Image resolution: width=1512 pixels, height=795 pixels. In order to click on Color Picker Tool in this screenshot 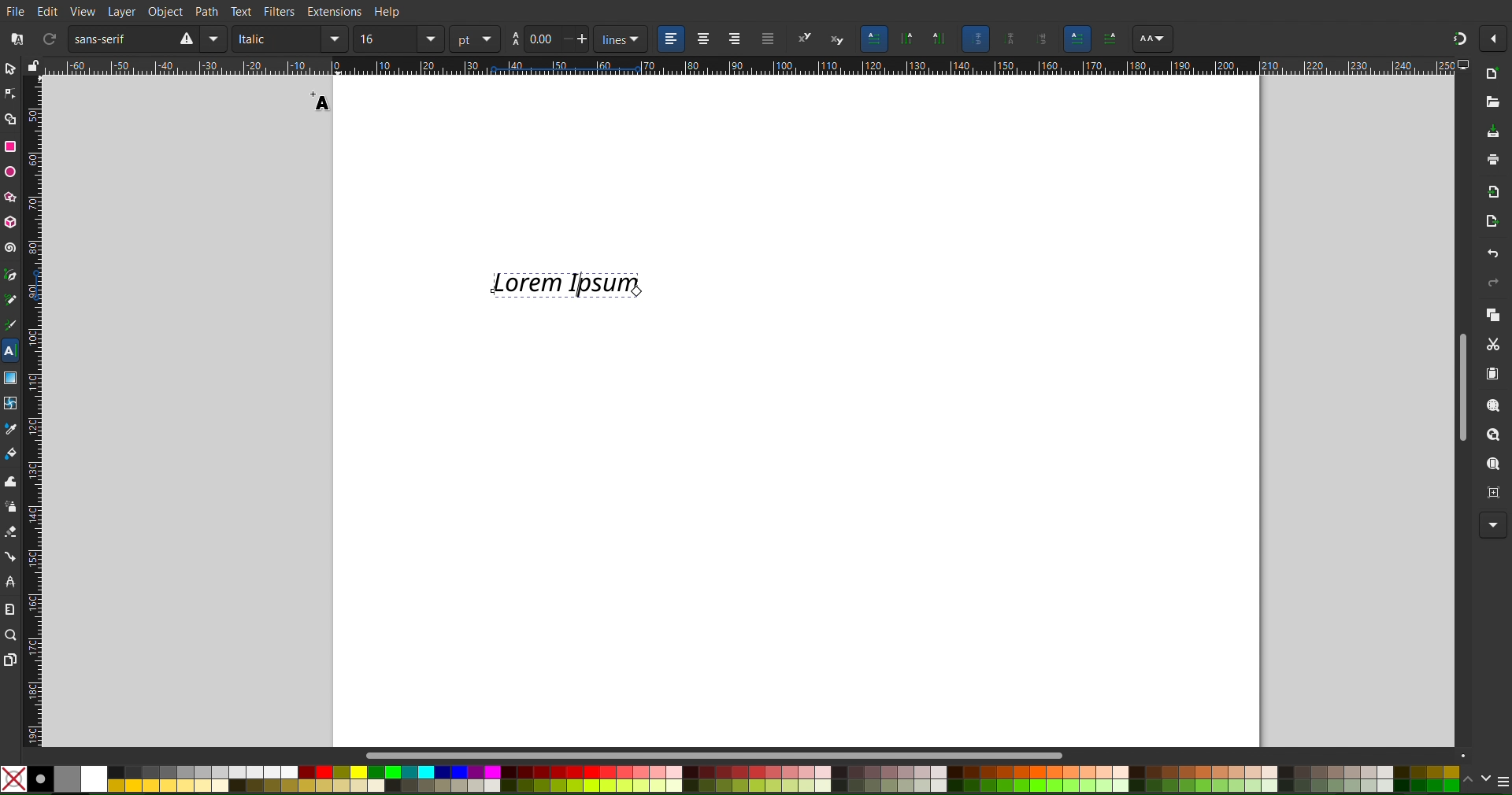, I will do `click(9, 429)`.